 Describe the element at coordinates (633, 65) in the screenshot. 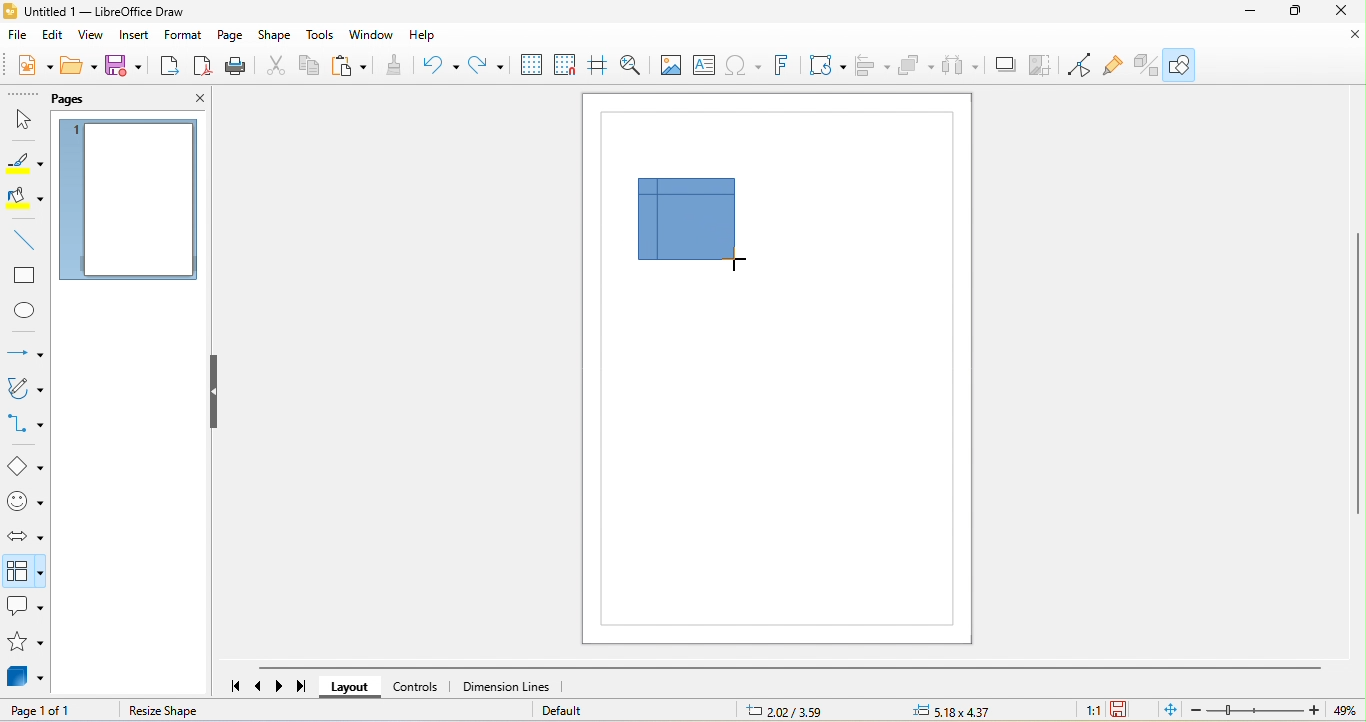

I see `zoom and pan` at that location.